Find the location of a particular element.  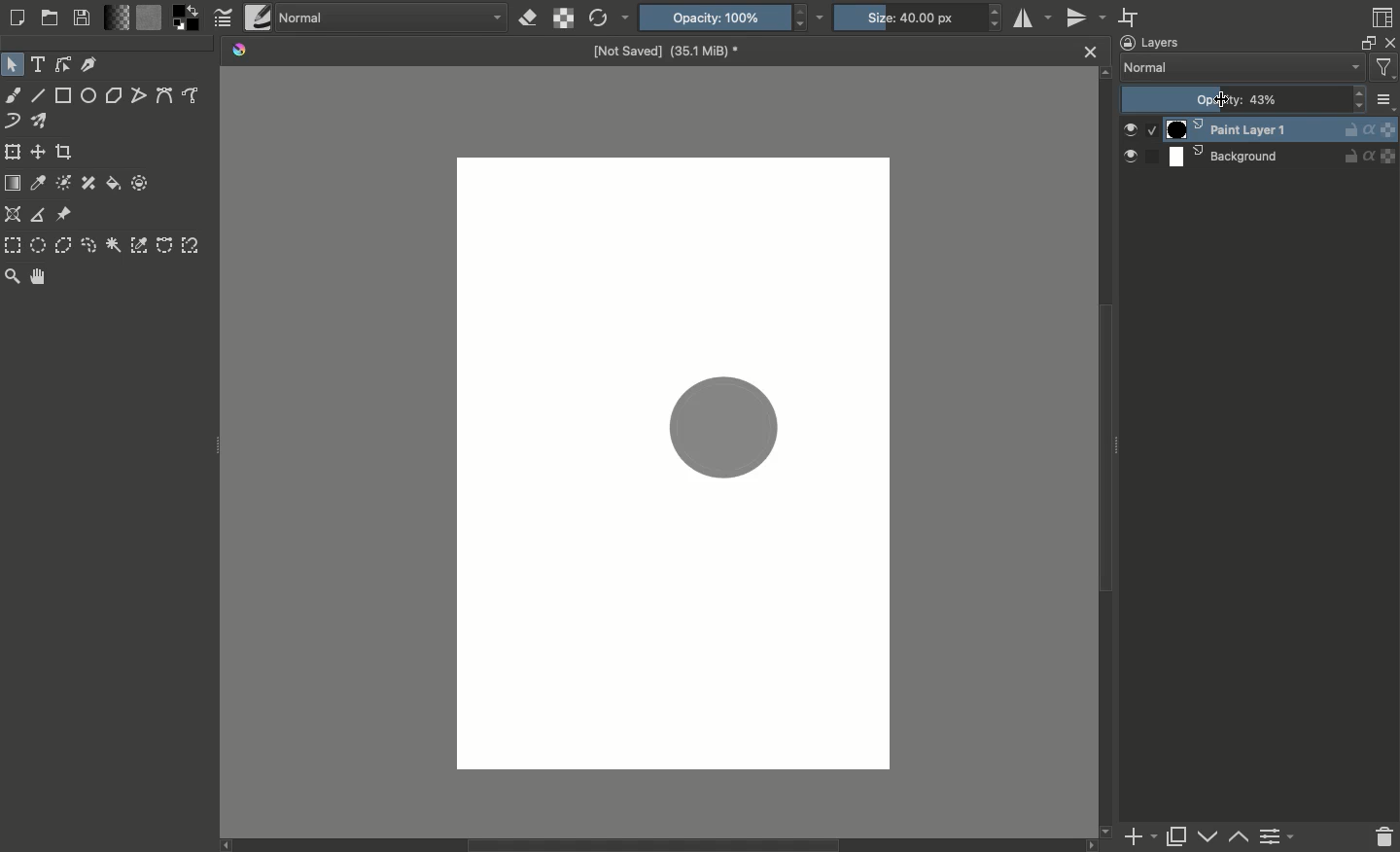

Opacity is located at coordinates (733, 17).